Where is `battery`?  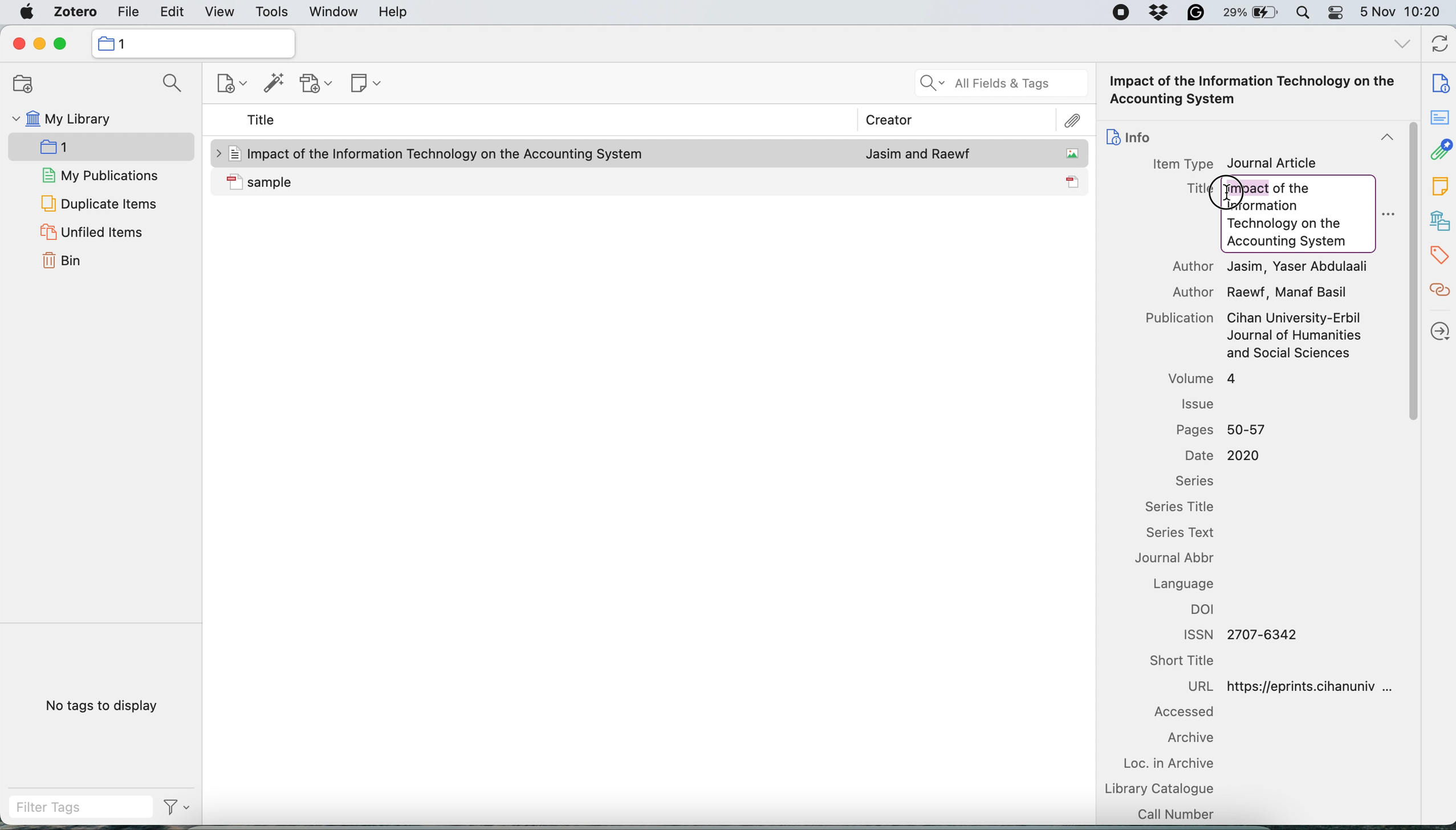
battery is located at coordinates (1252, 13).